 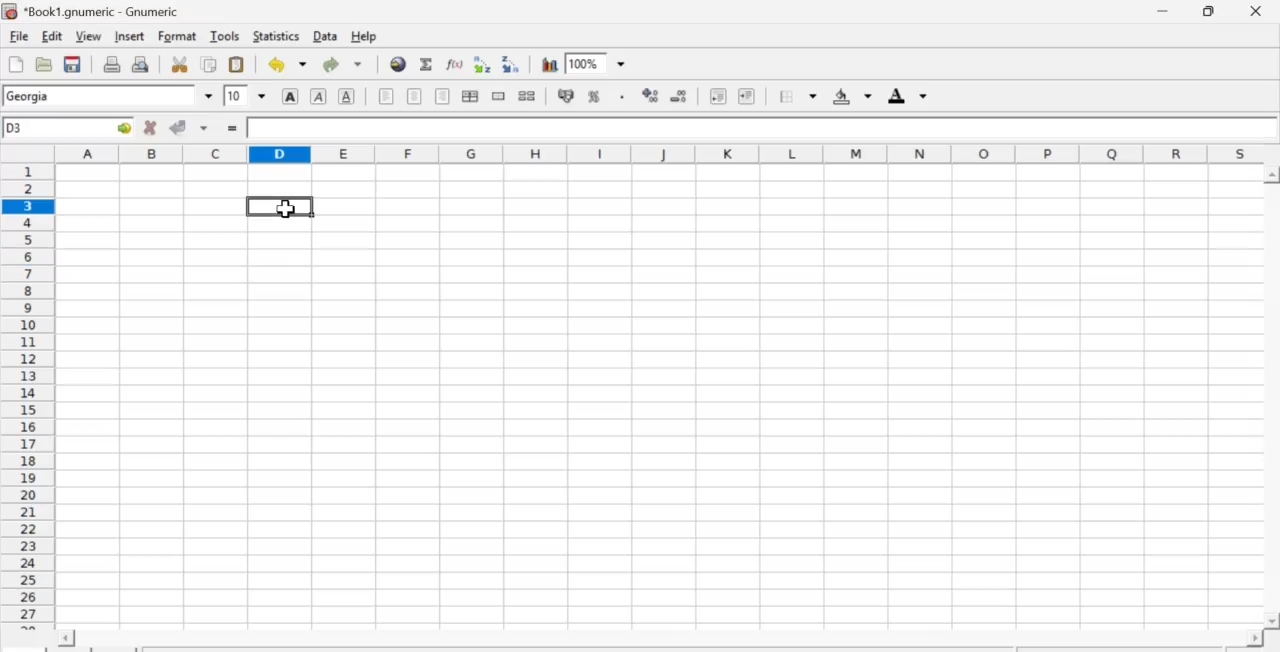 I want to click on View, so click(x=88, y=35).